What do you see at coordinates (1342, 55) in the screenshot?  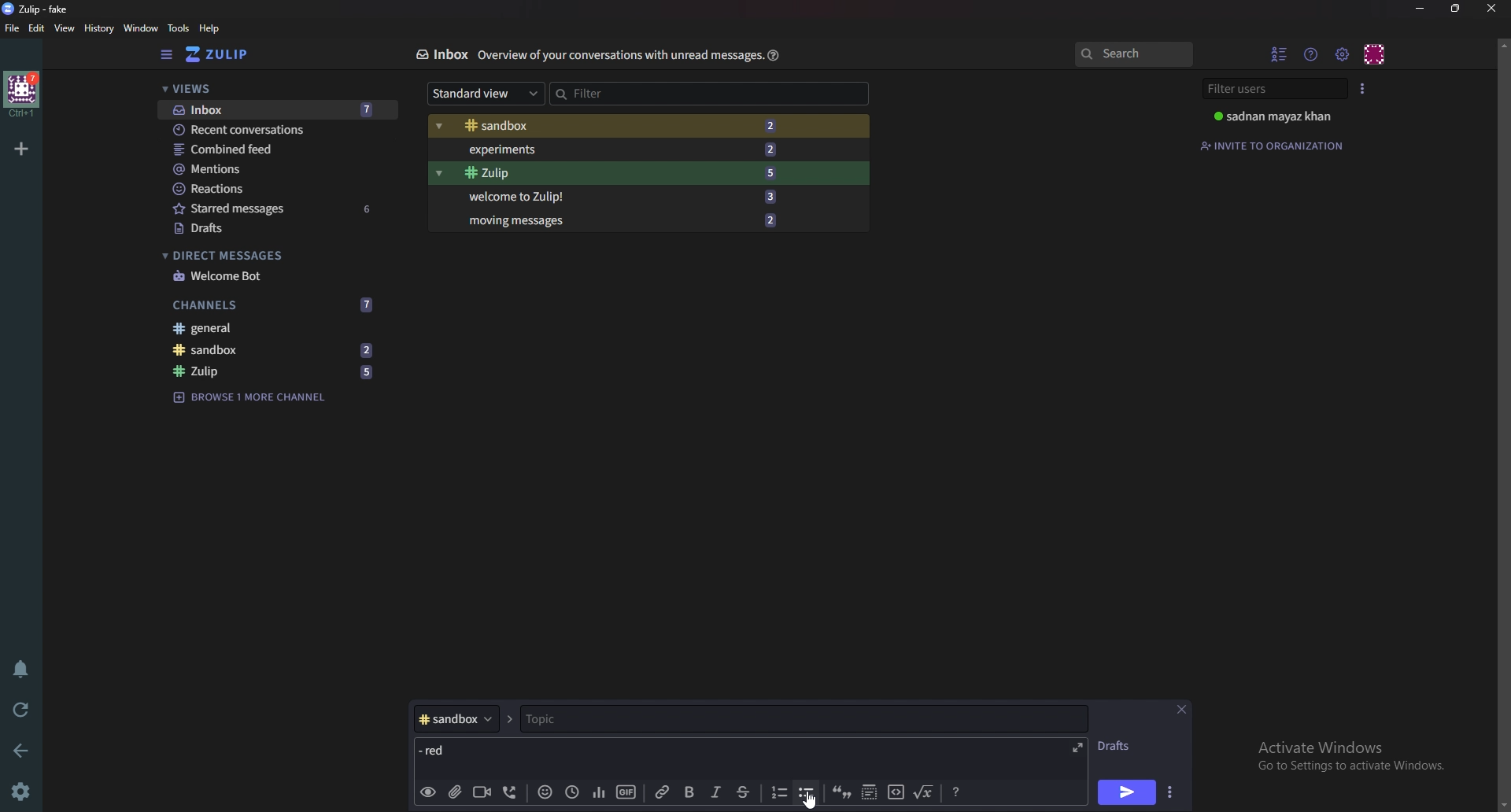 I see `Main menu` at bounding box center [1342, 55].